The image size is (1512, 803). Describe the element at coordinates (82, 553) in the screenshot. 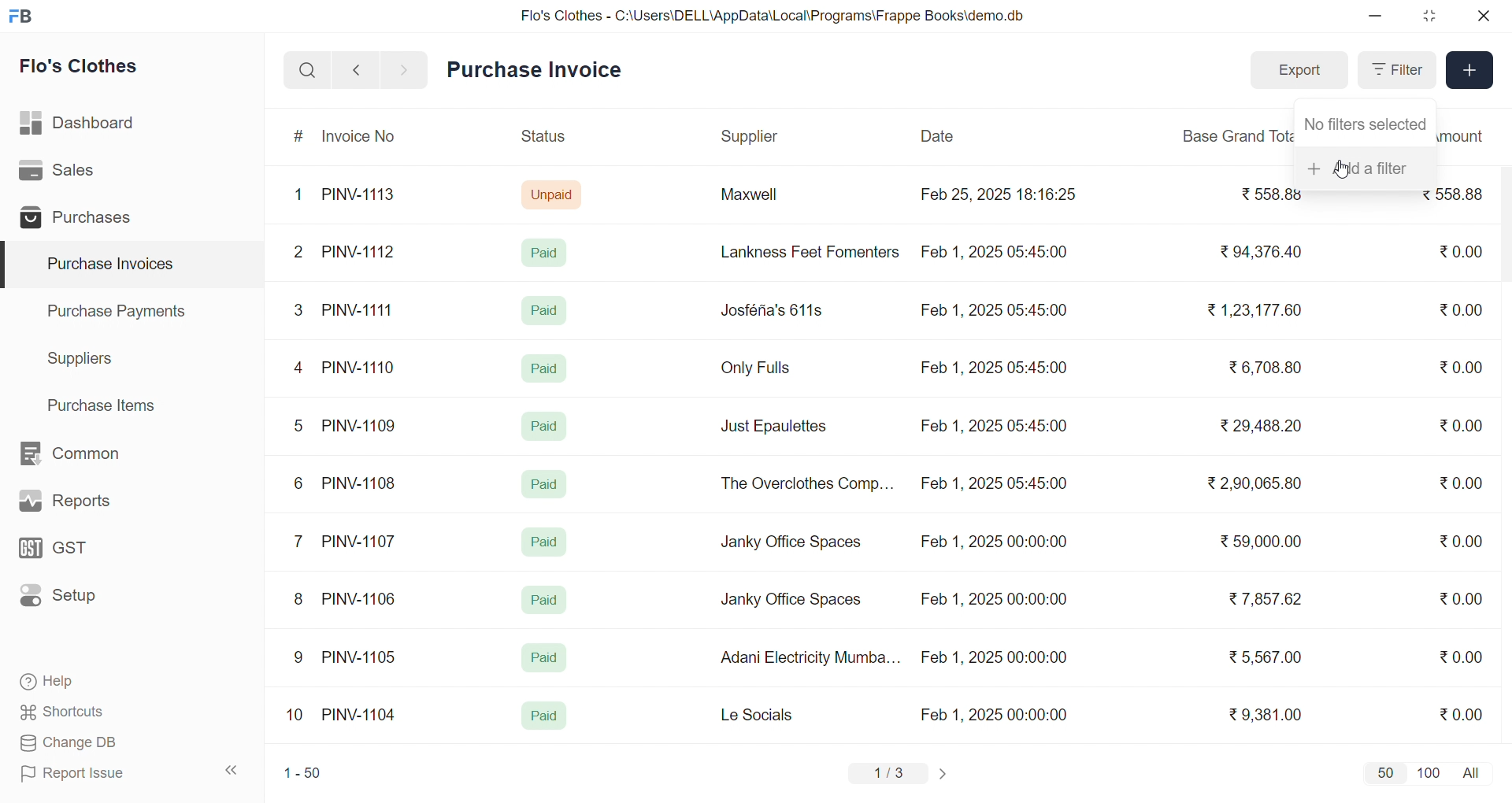

I see `GST` at that location.